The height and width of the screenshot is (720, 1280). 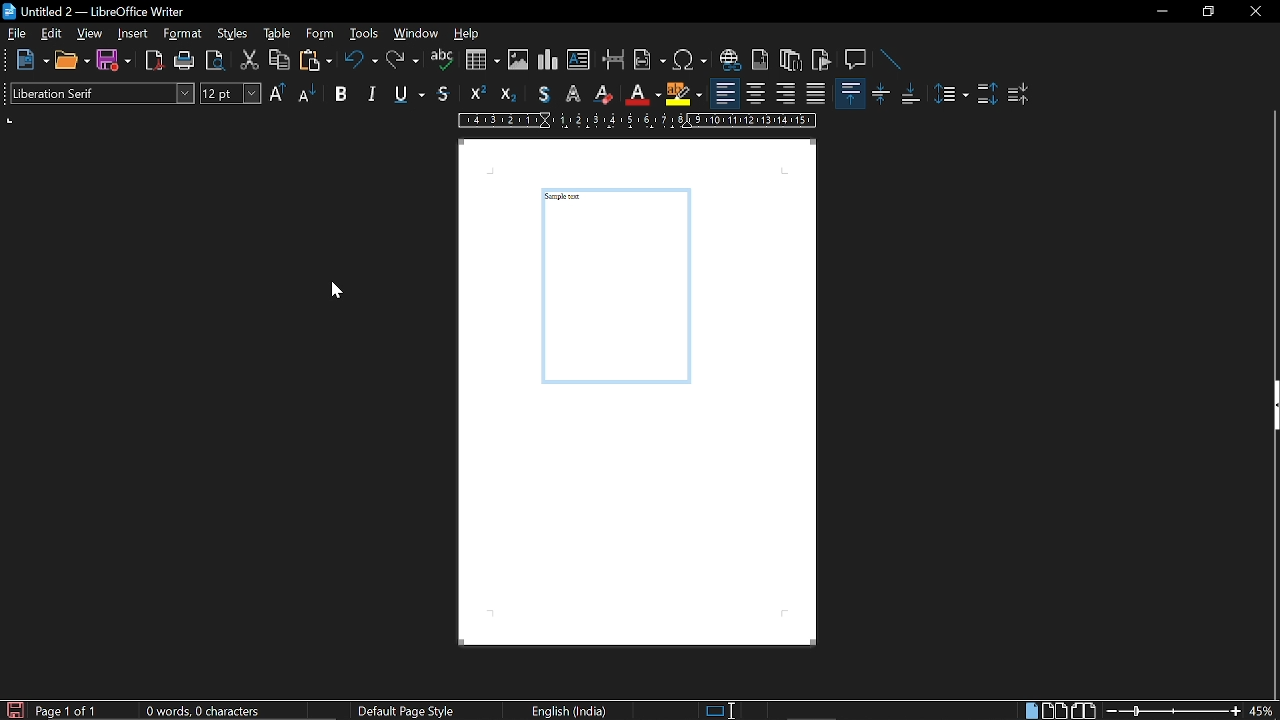 I want to click on Align centre, so click(x=881, y=92).